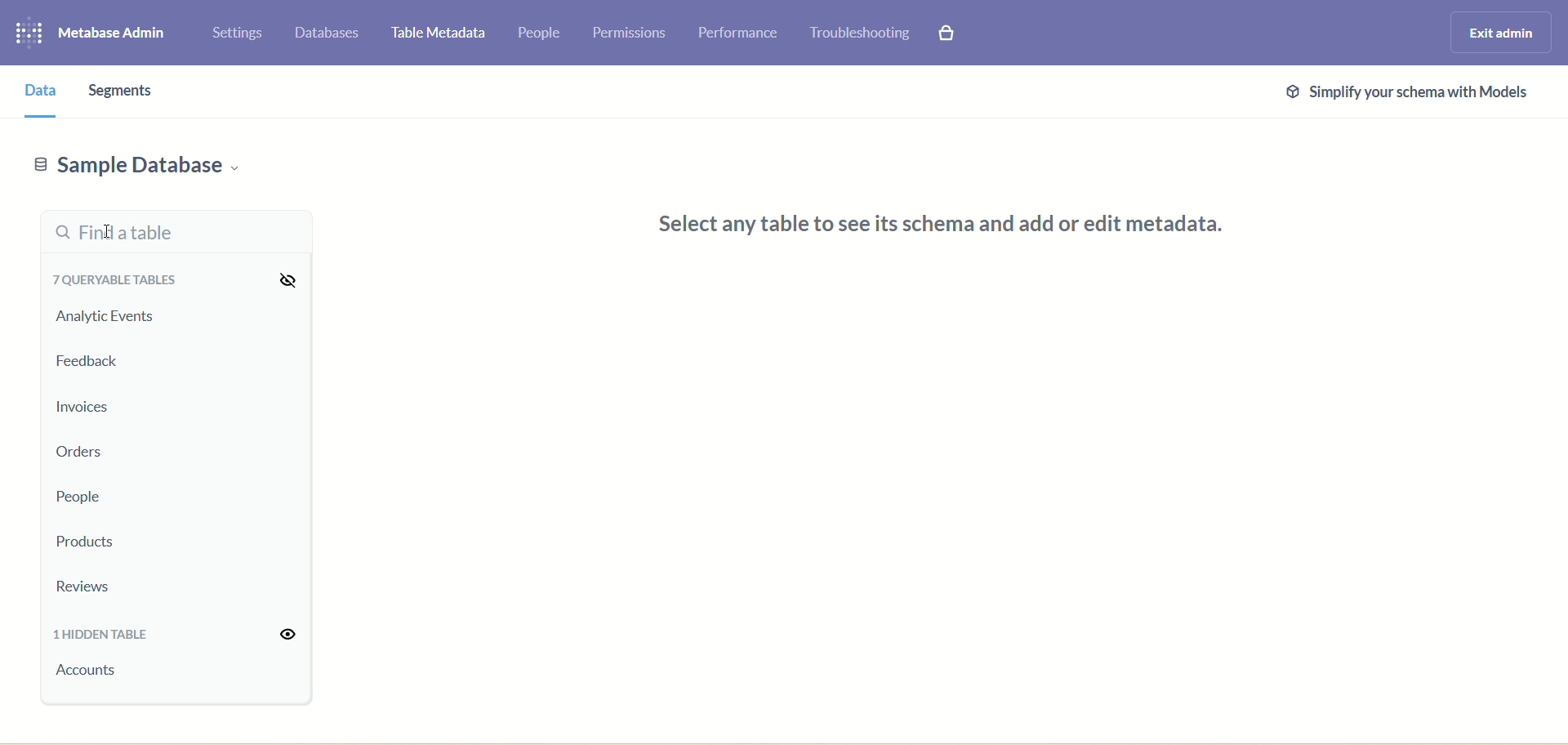 The width and height of the screenshot is (1568, 745). I want to click on performance, so click(741, 34).